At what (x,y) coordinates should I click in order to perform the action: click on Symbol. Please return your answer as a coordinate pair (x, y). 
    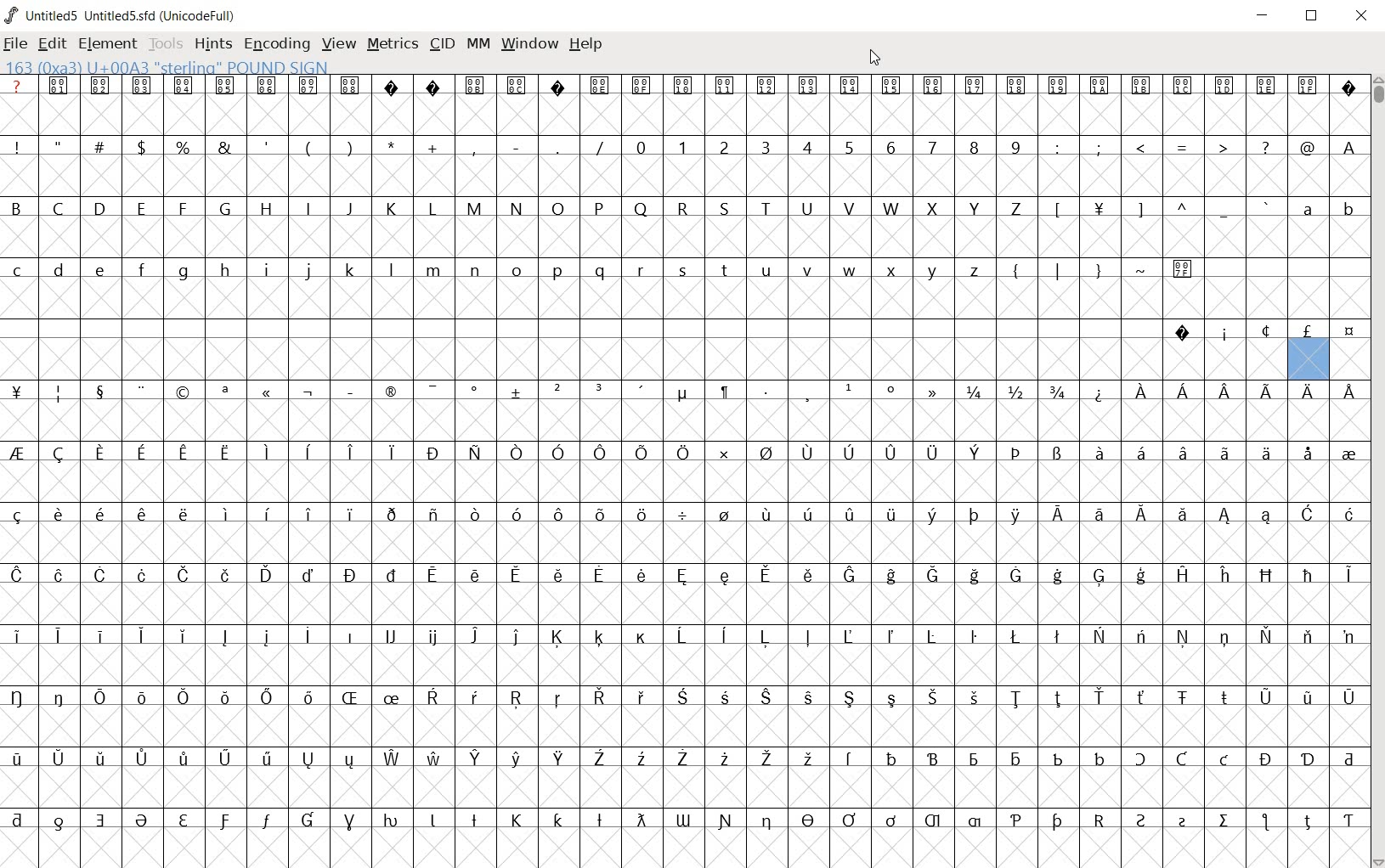
    Looking at the image, I should click on (1348, 758).